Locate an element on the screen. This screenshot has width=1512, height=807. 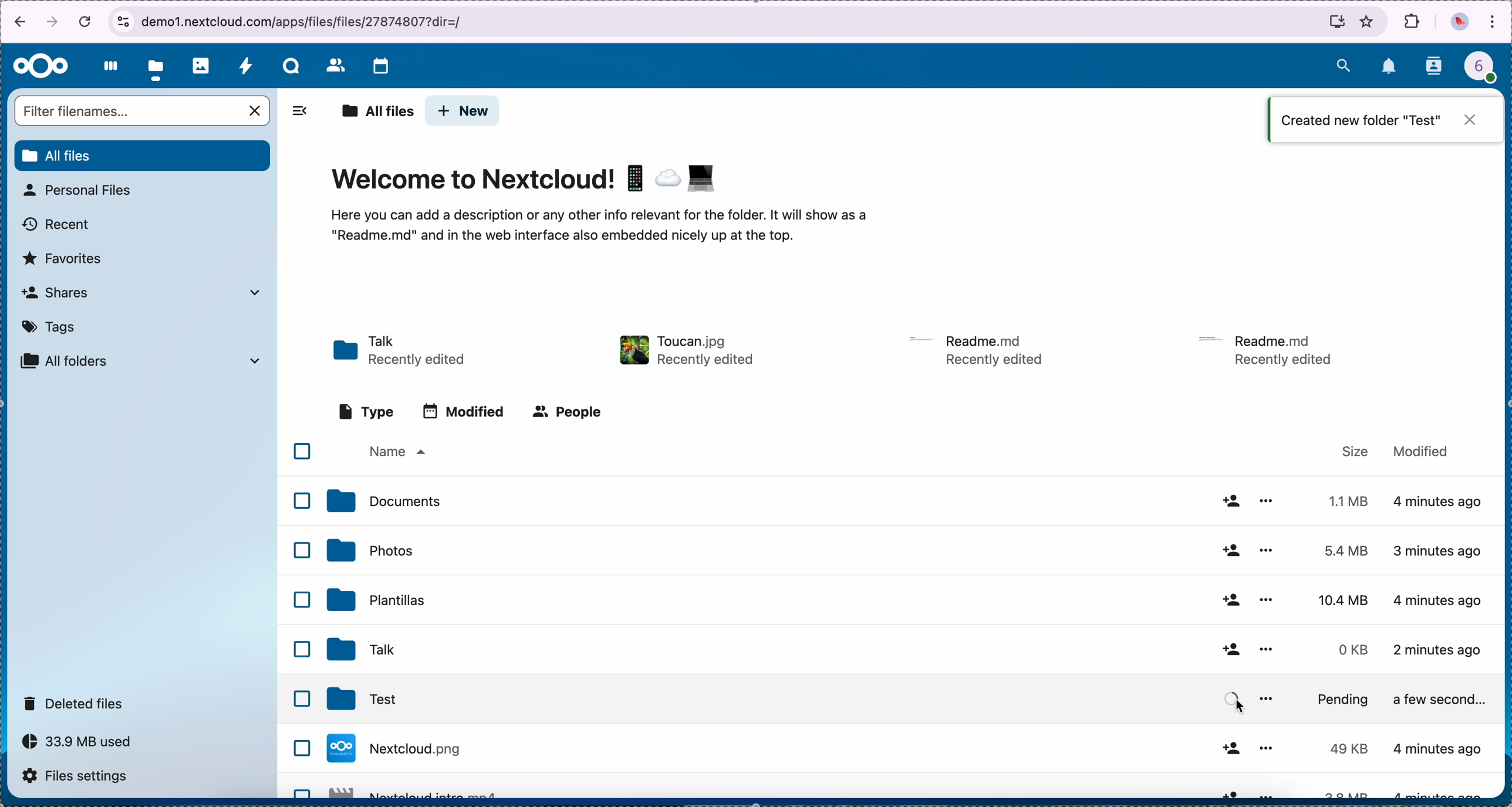
share is located at coordinates (1230, 698).